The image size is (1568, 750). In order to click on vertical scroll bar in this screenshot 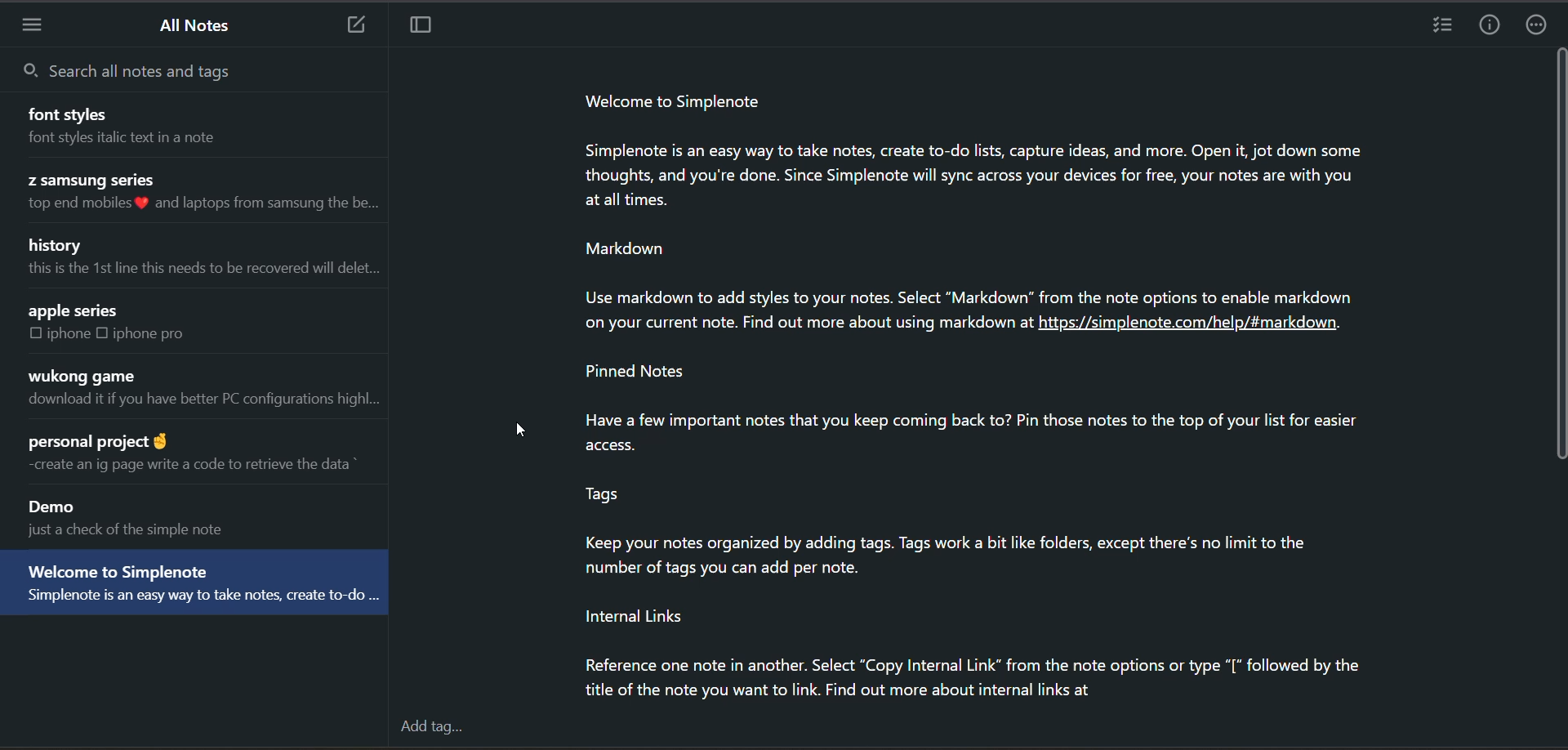, I will do `click(1558, 257)`.